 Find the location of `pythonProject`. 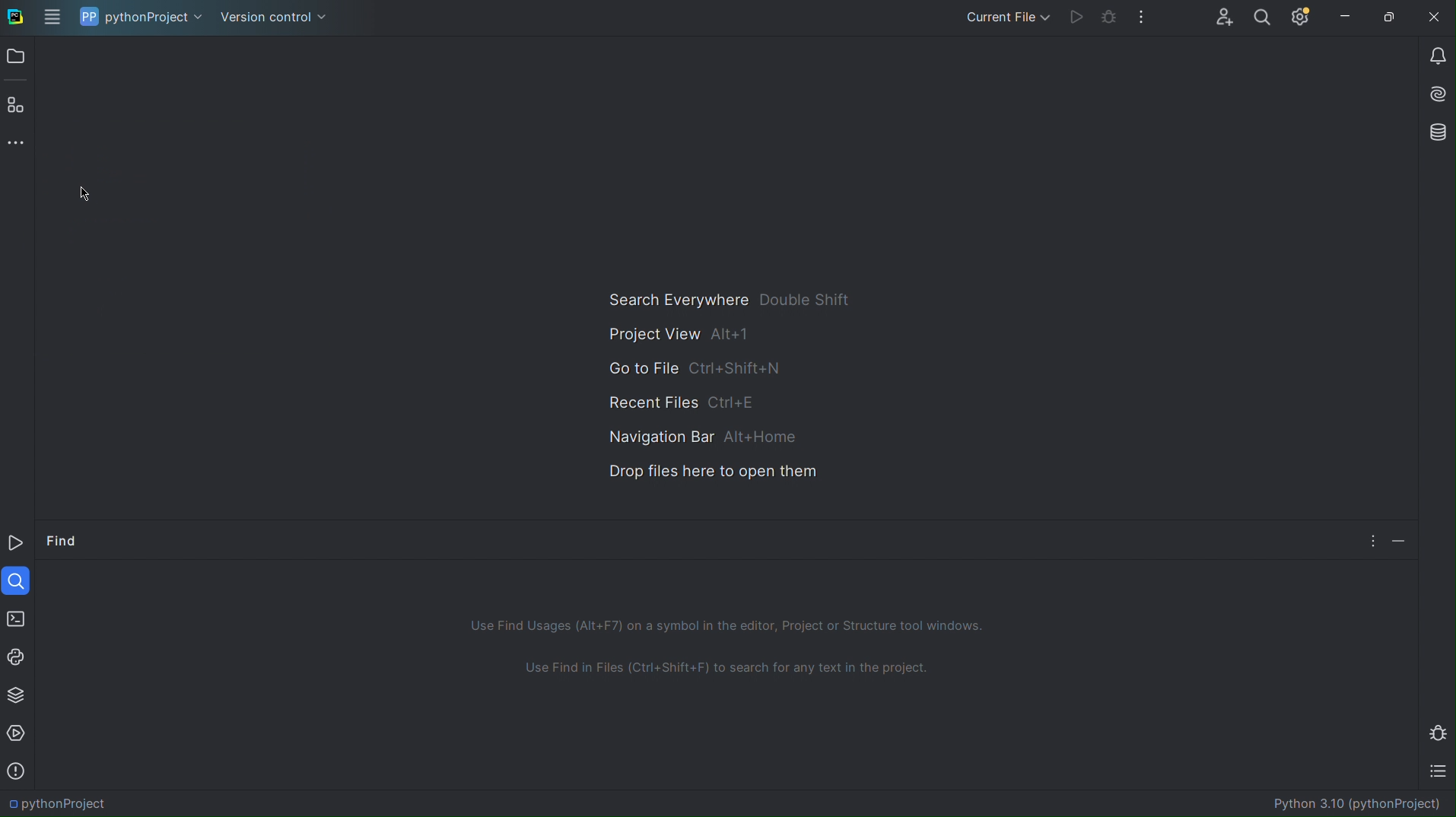

pythonProject is located at coordinates (141, 16).